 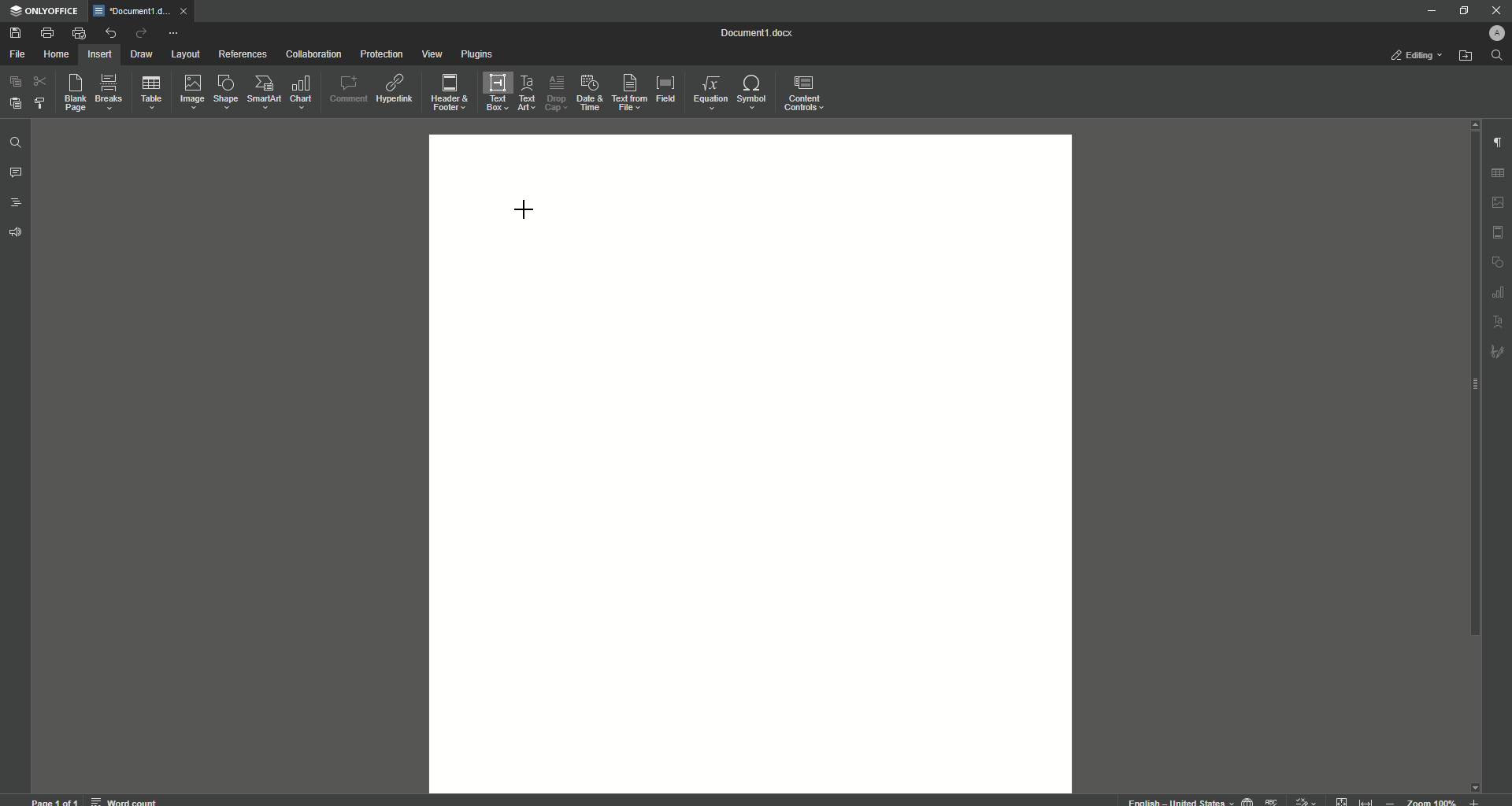 I want to click on Text Box, so click(x=492, y=92).